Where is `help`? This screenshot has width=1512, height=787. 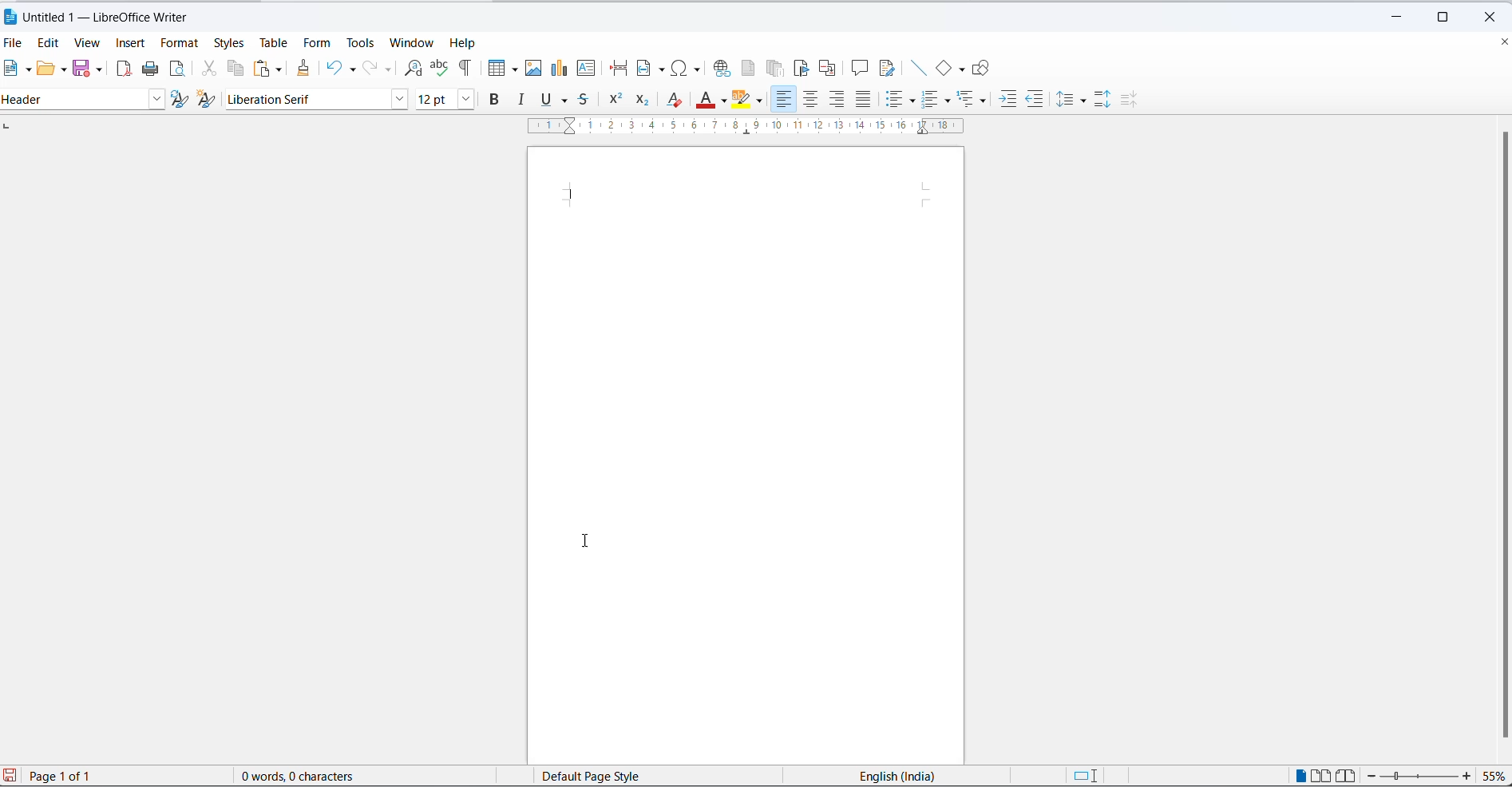
help is located at coordinates (465, 42).